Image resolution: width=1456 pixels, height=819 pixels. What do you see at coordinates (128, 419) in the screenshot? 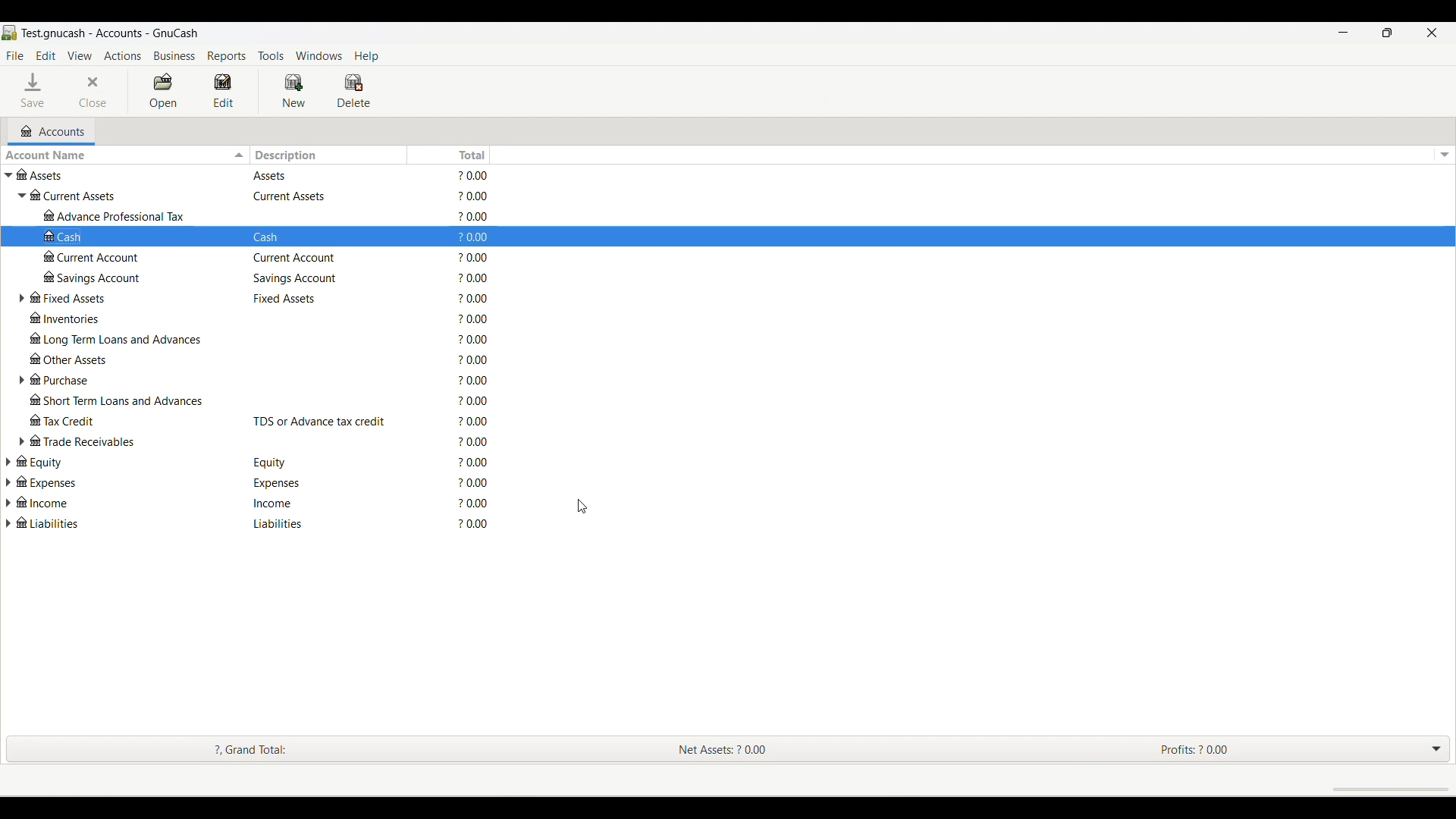
I see `Tax credit` at bounding box center [128, 419].